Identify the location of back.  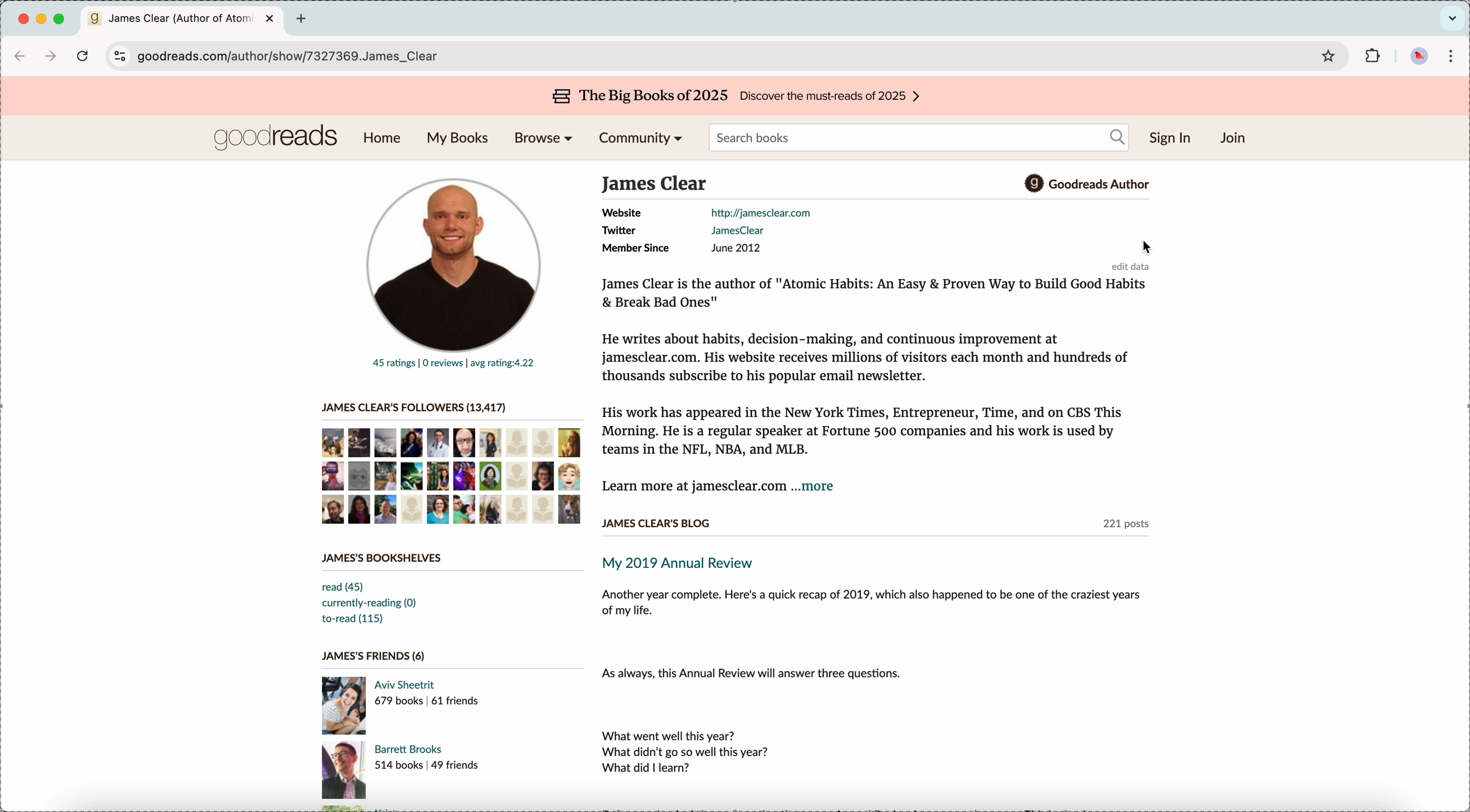
(22, 57).